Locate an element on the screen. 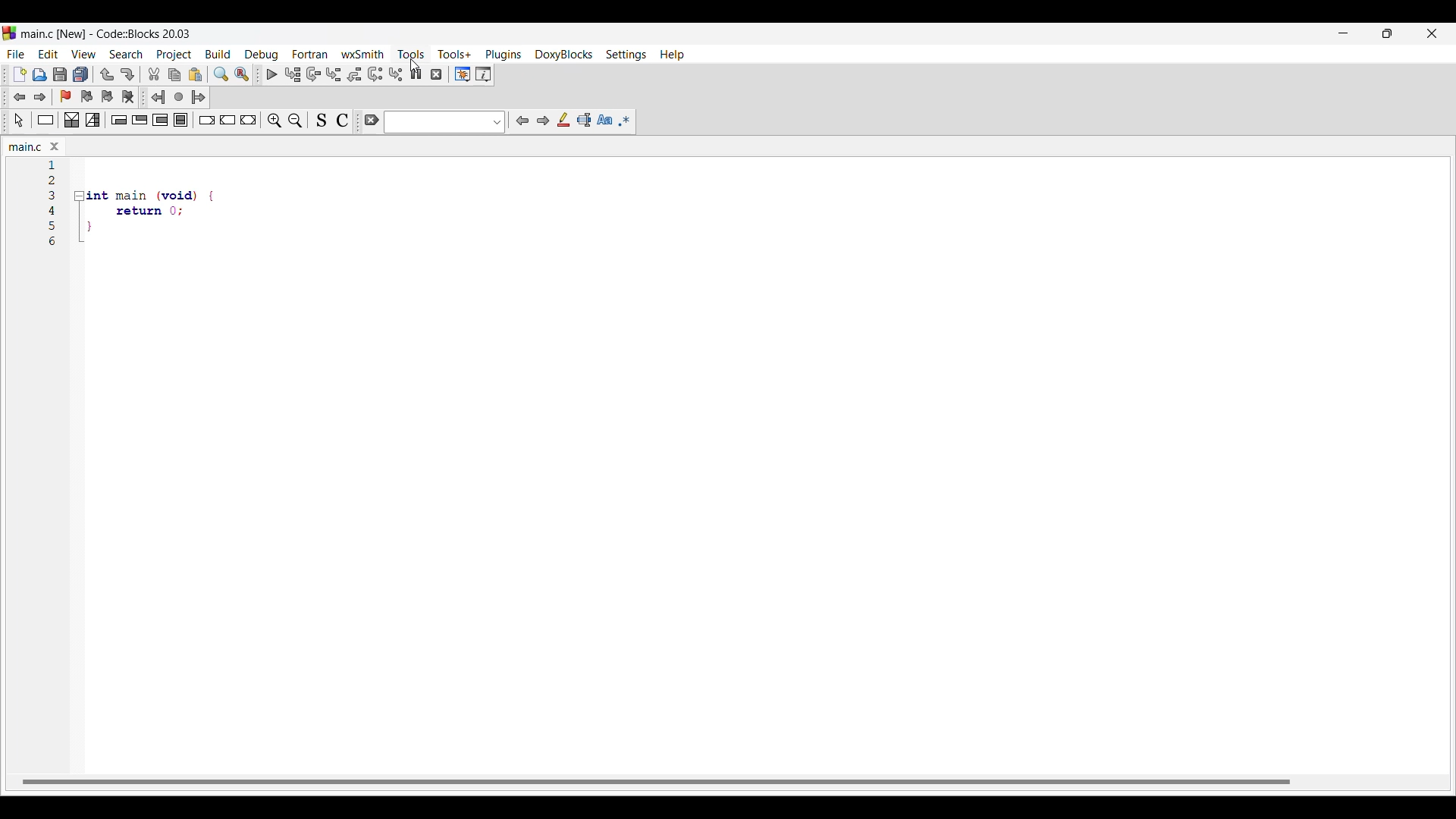 Image resolution: width=1456 pixels, height=819 pixels. Exit condition is located at coordinates (140, 120).